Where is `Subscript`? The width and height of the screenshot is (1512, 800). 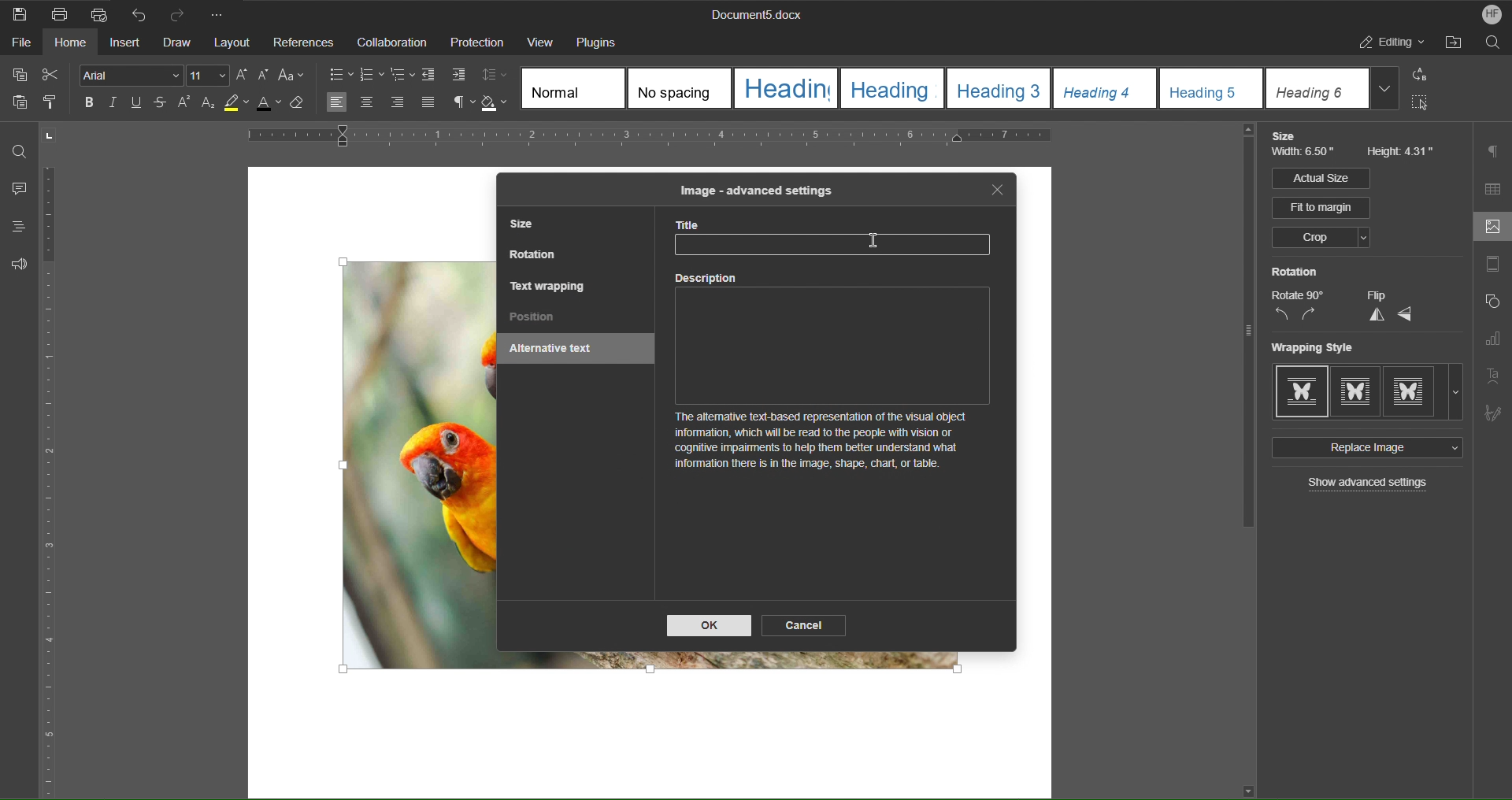 Subscript is located at coordinates (209, 106).